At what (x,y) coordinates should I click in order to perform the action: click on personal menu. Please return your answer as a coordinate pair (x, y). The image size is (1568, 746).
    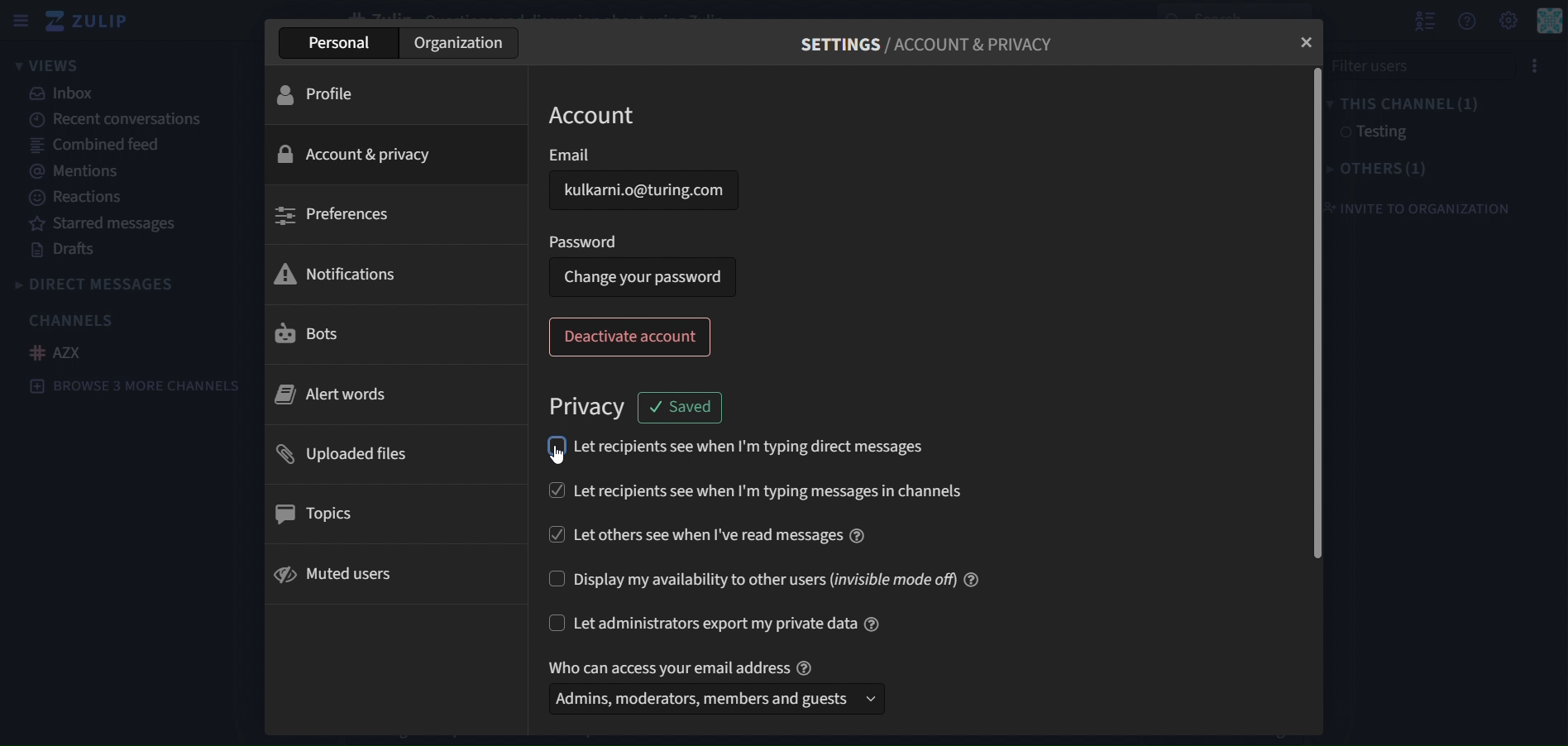
    Looking at the image, I should click on (1547, 22).